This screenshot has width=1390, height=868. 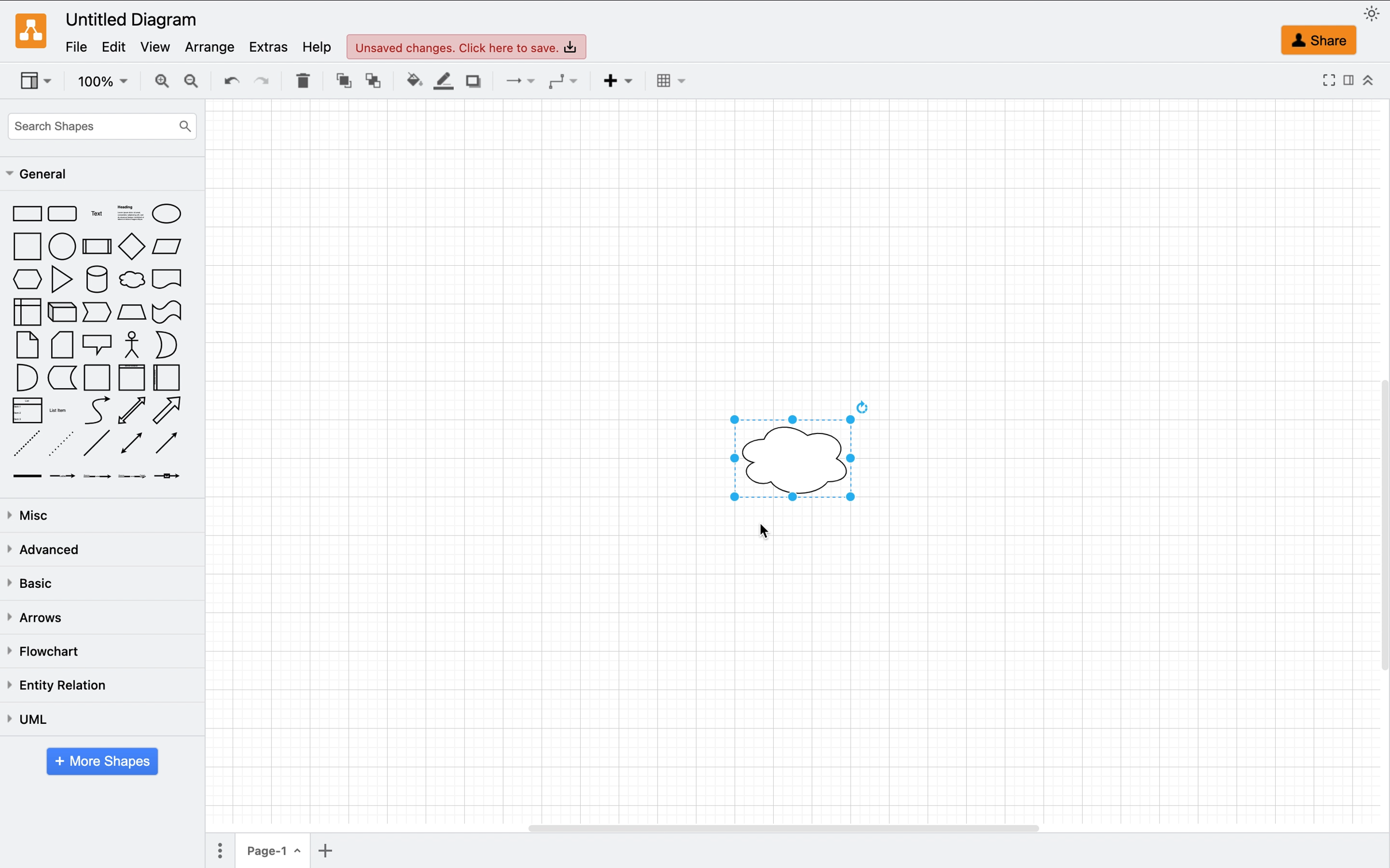 I want to click on link, so click(x=29, y=475).